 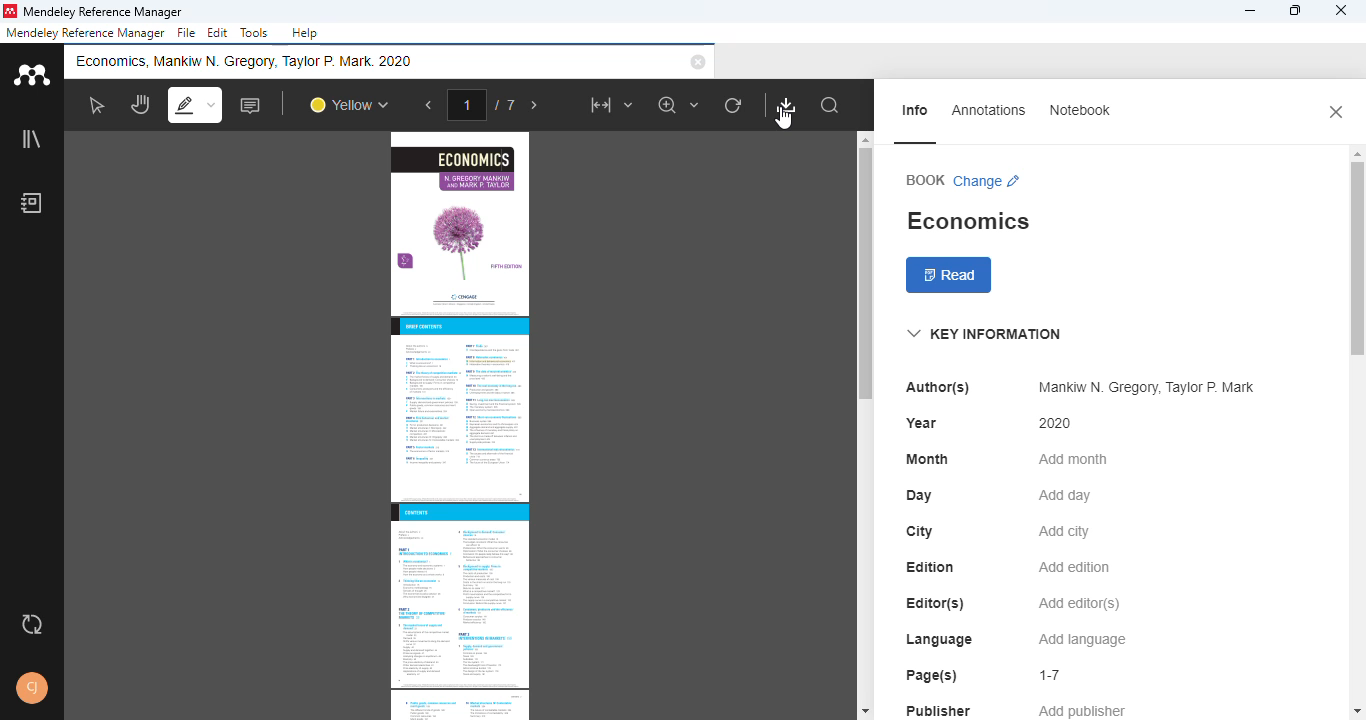 I want to click on close, so click(x=1342, y=11).